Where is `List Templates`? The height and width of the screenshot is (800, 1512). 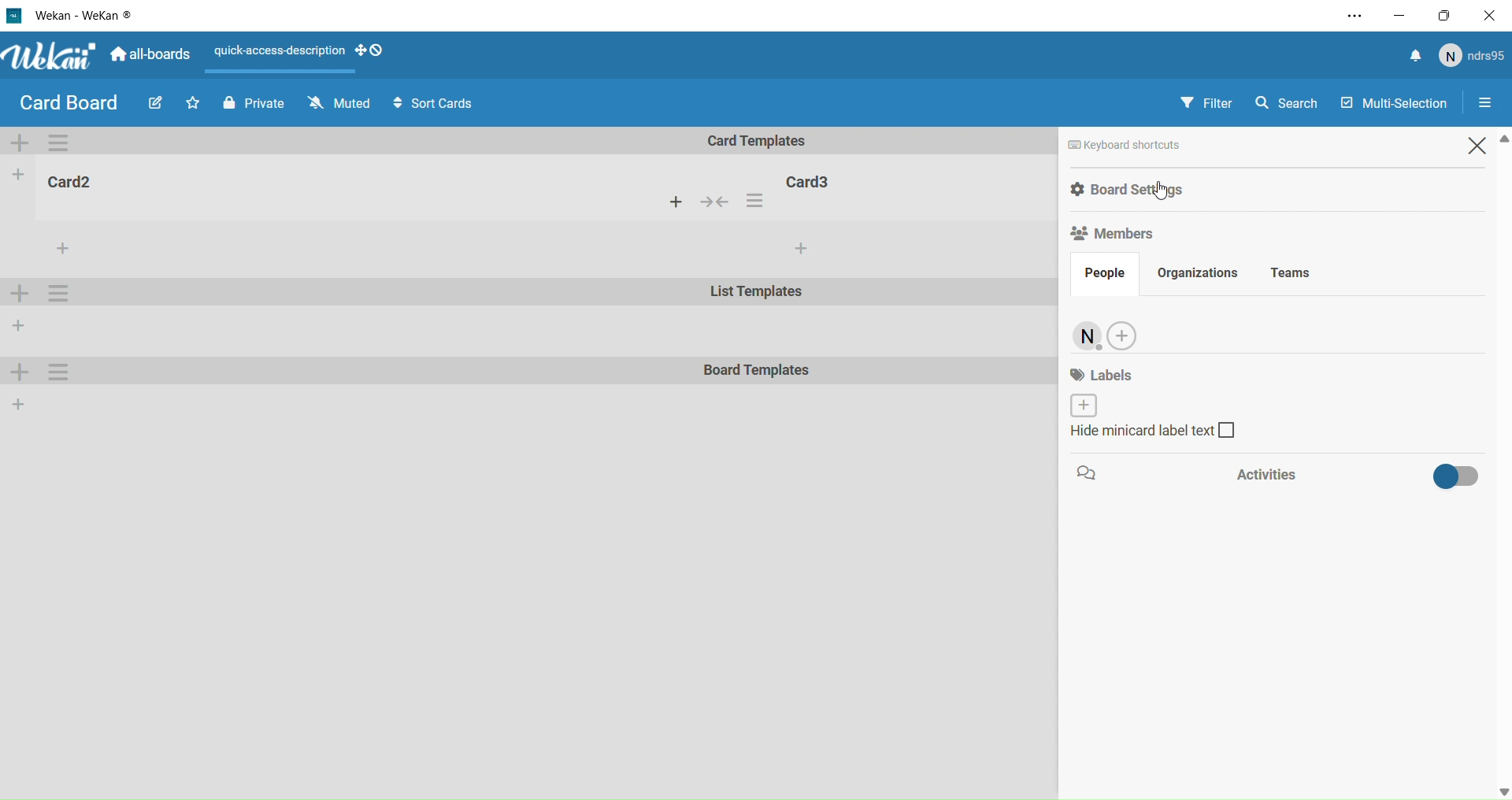
List Templates is located at coordinates (758, 294).